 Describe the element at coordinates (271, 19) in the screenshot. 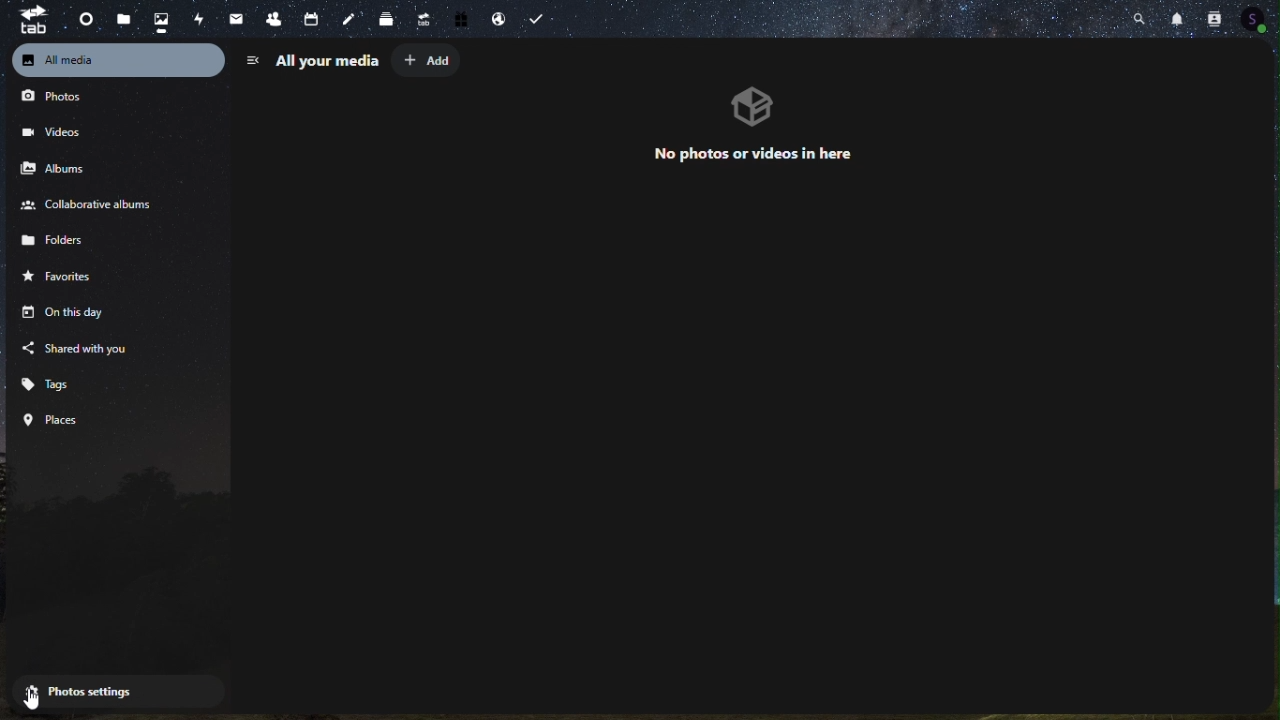

I see `contacts` at that location.